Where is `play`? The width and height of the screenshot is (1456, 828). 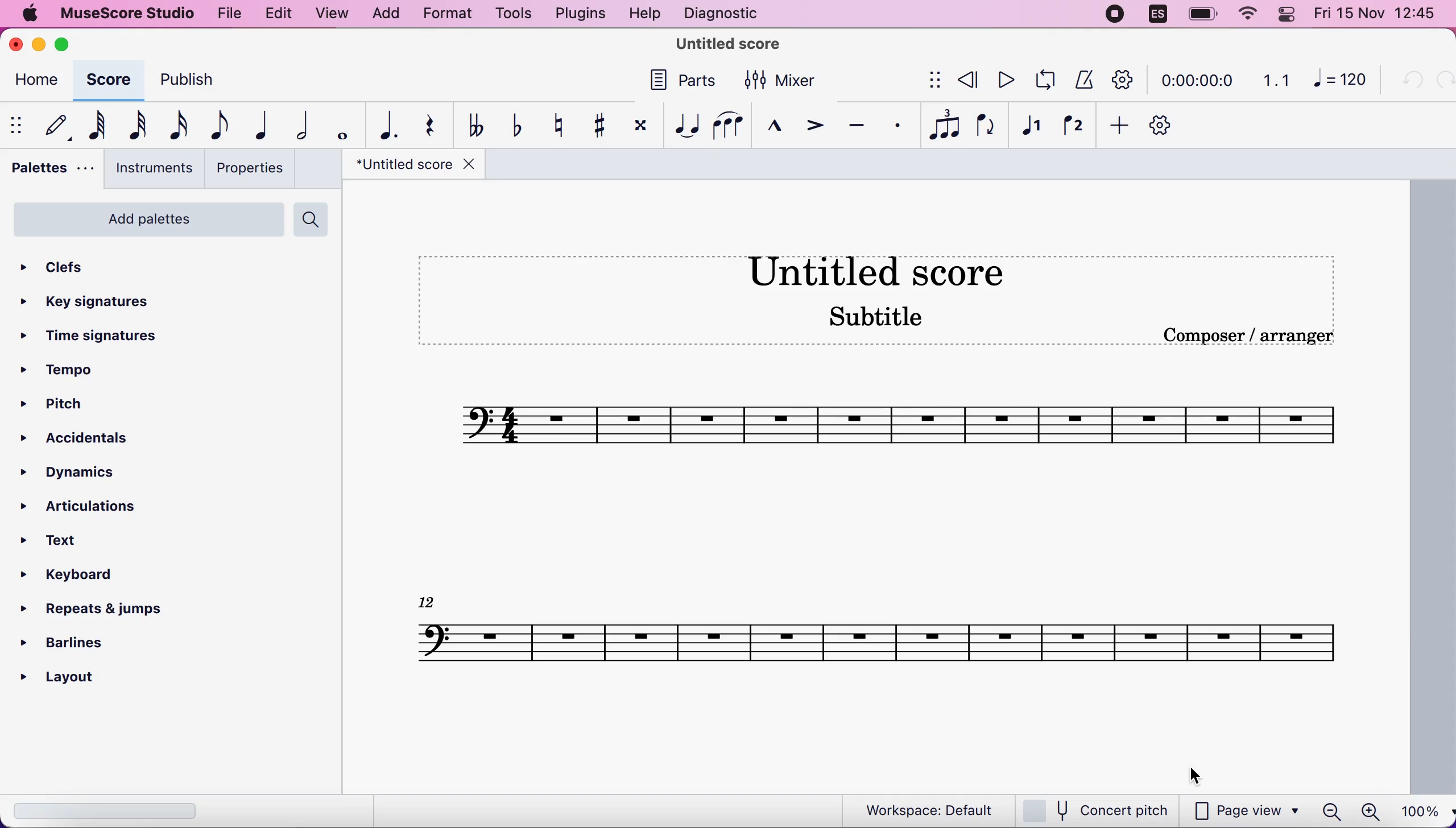 play is located at coordinates (1004, 80).